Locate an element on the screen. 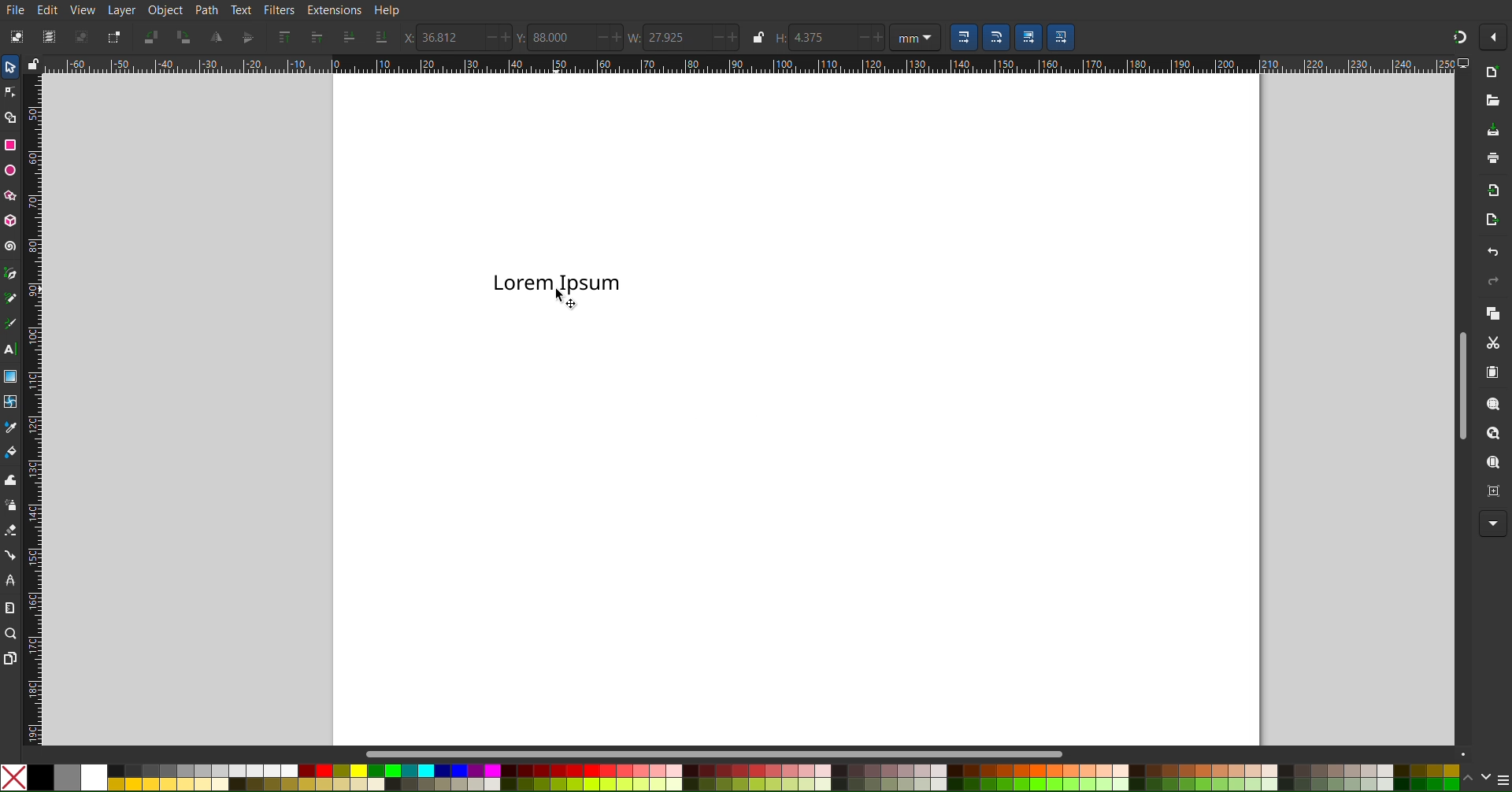  Measure Tool is located at coordinates (9, 606).